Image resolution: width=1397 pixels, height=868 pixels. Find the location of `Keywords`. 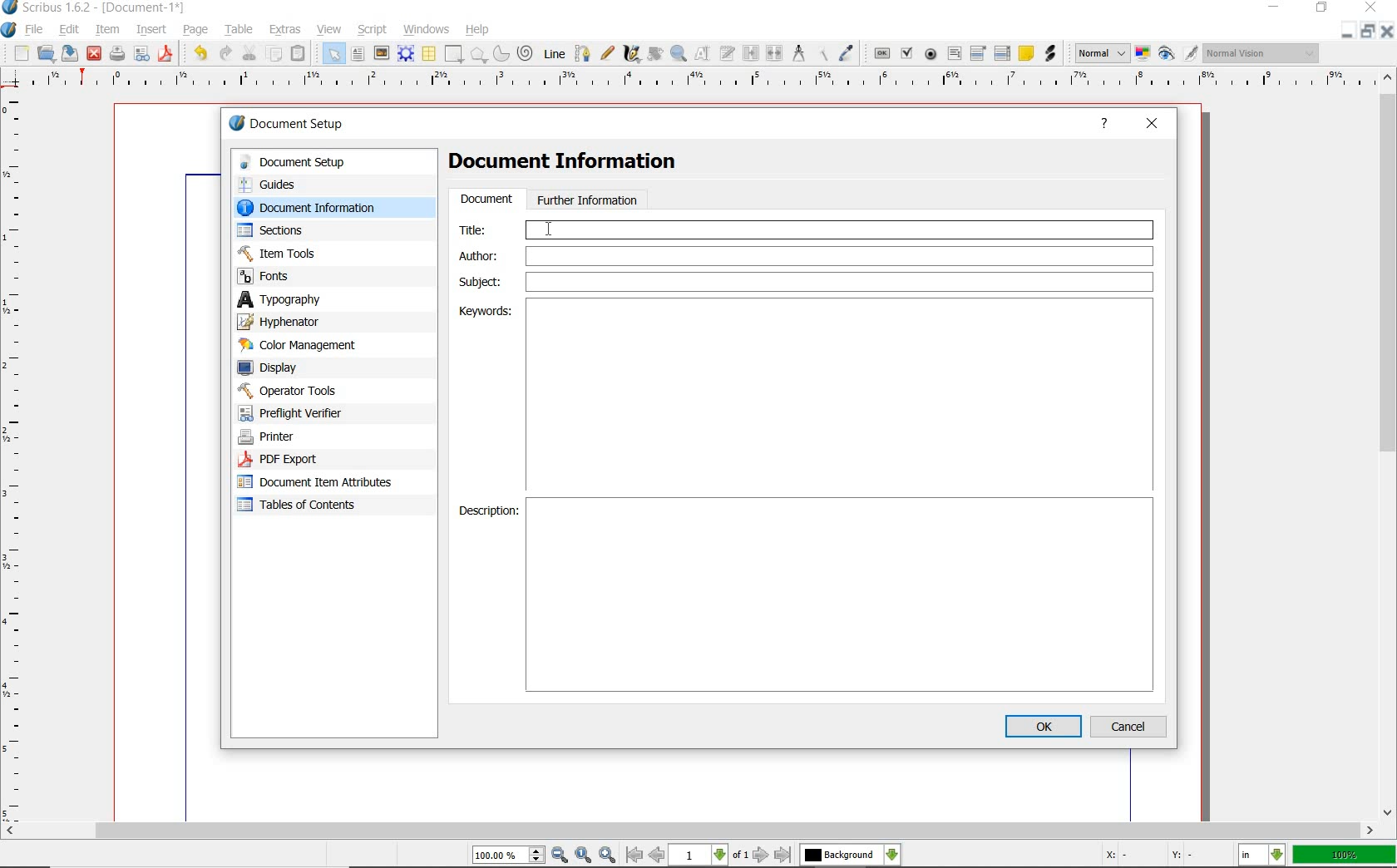

Keywords is located at coordinates (842, 394).